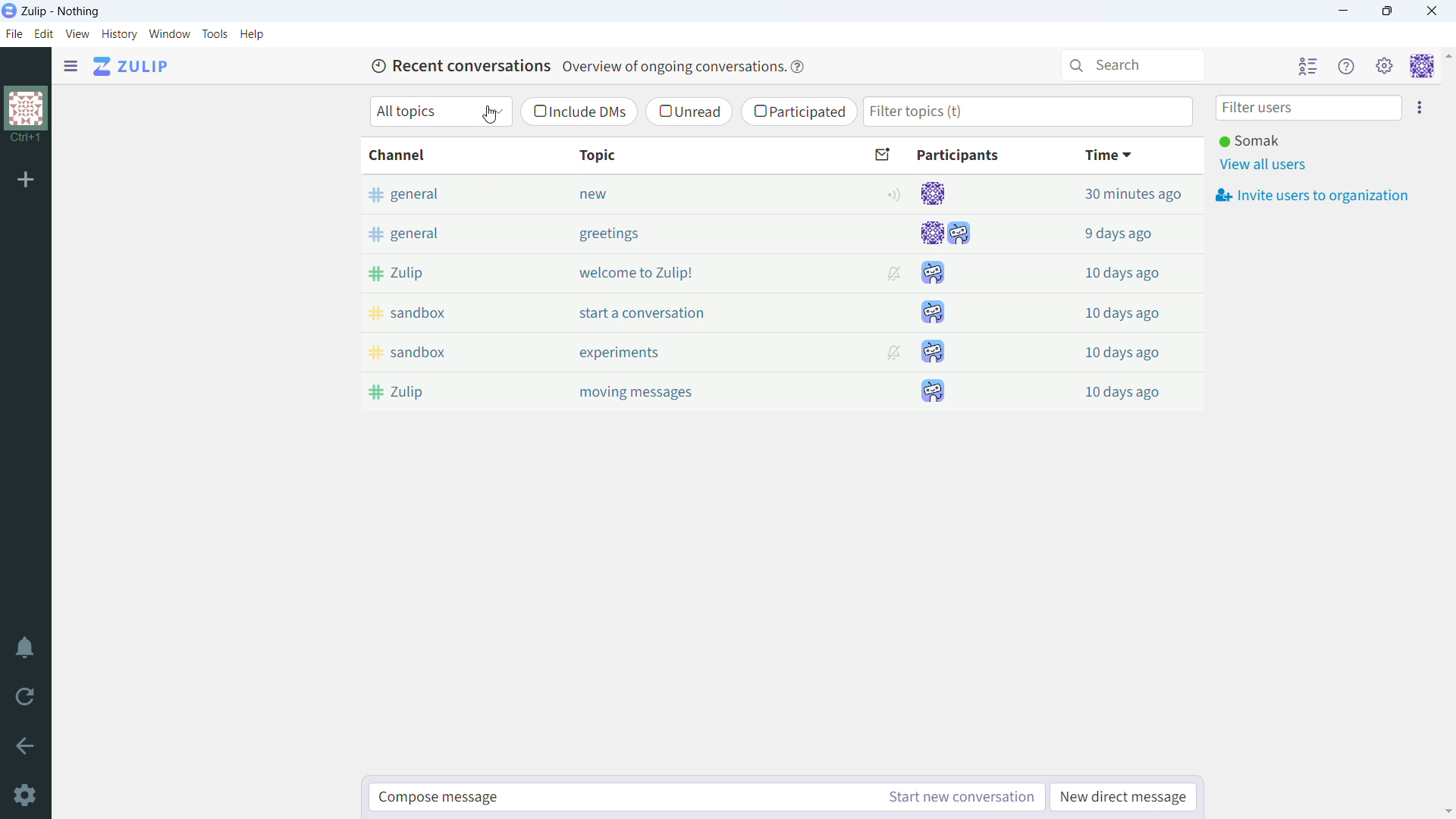 The height and width of the screenshot is (819, 1456). I want to click on moving messages, so click(679, 390).